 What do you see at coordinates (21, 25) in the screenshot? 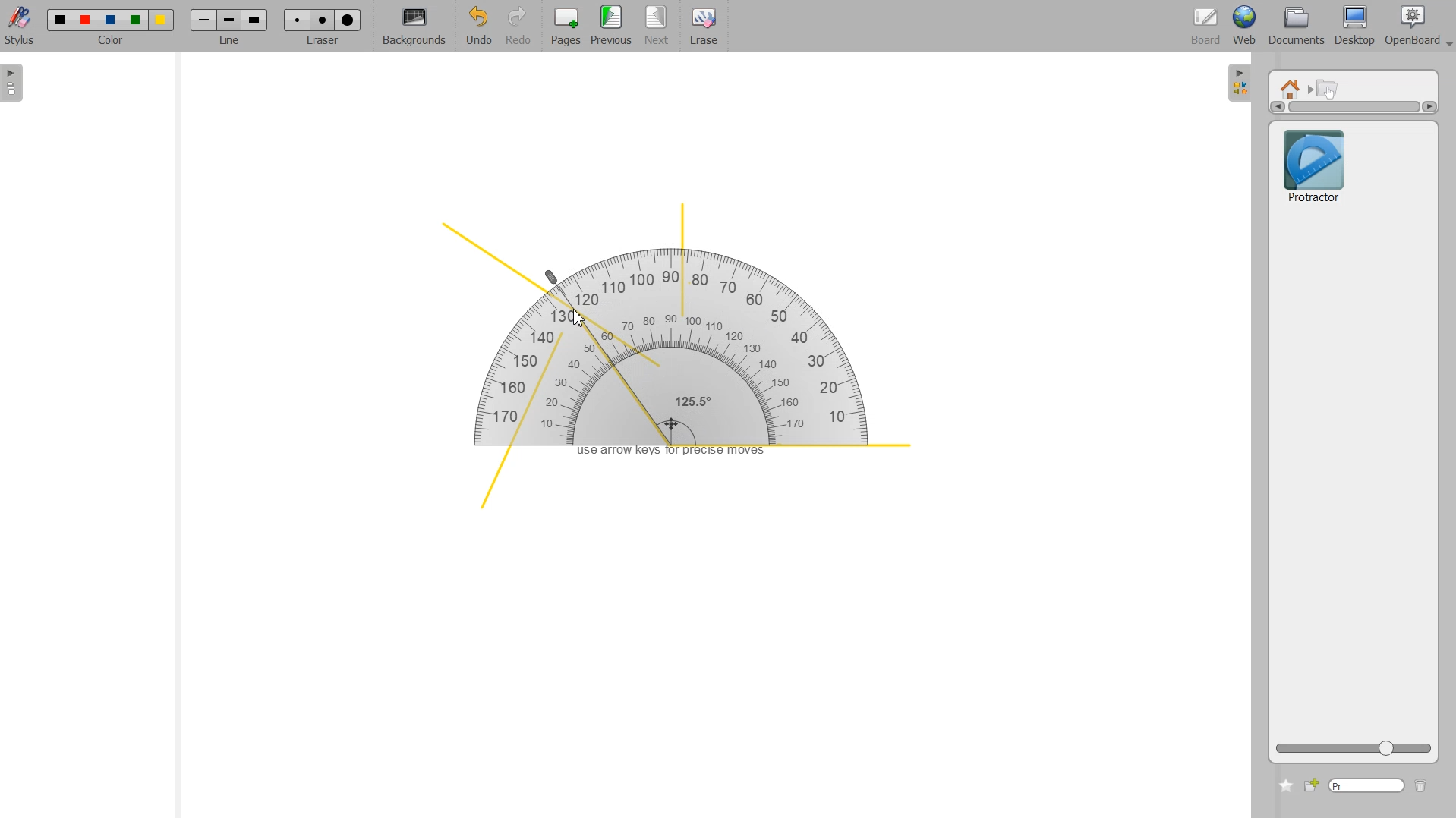
I see `Stylus` at bounding box center [21, 25].